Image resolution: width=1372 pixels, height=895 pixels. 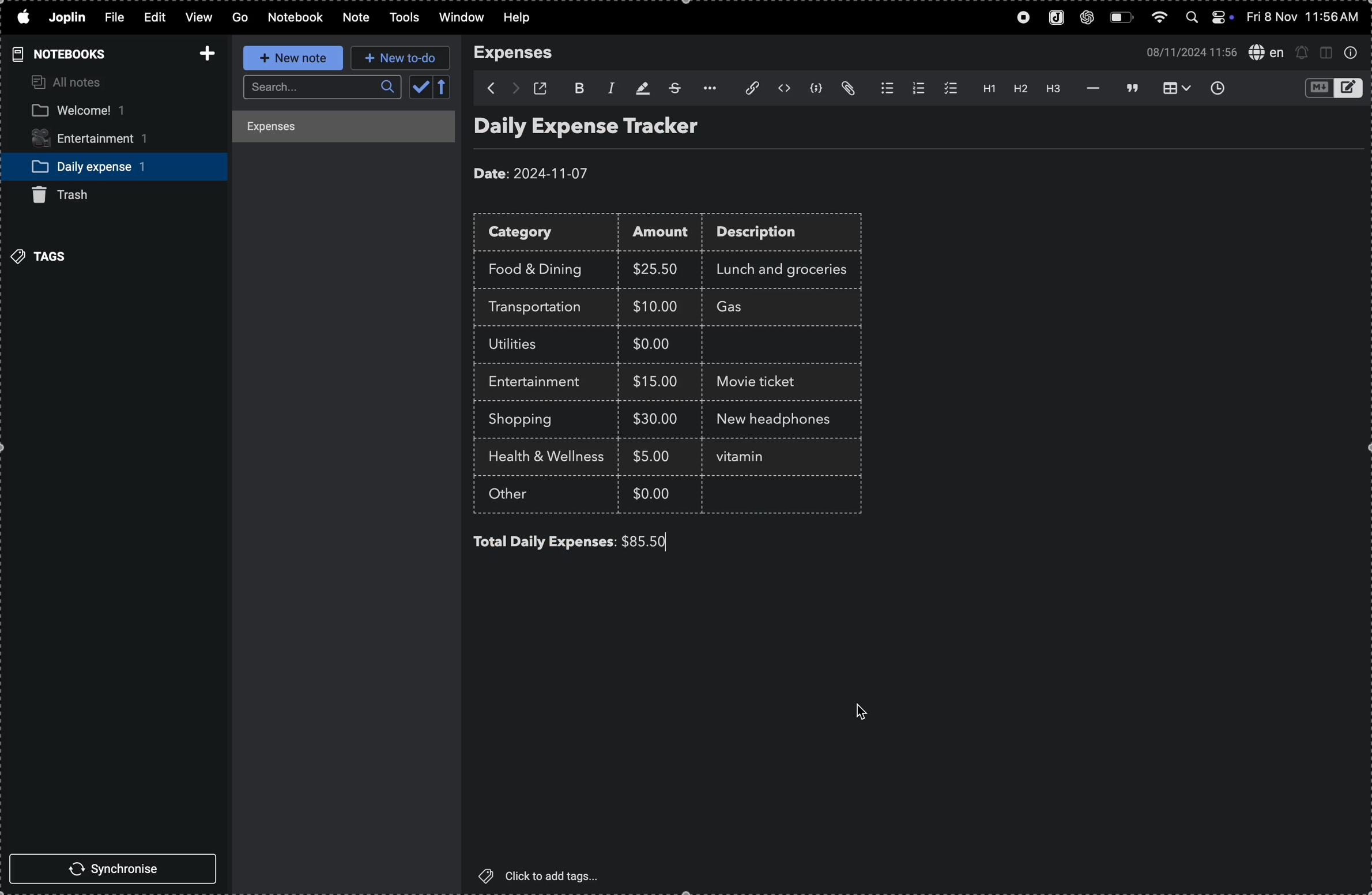 I want to click on numberlist, so click(x=916, y=88).